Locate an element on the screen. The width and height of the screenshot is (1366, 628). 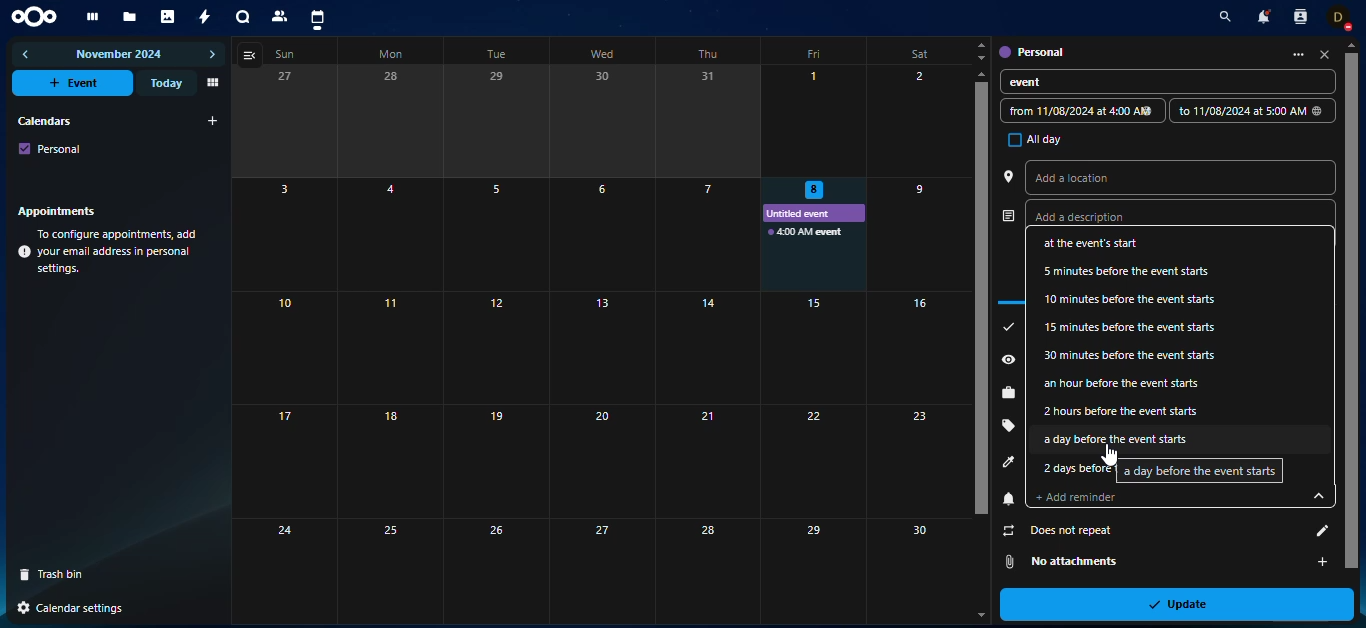
profile is located at coordinates (1008, 463).